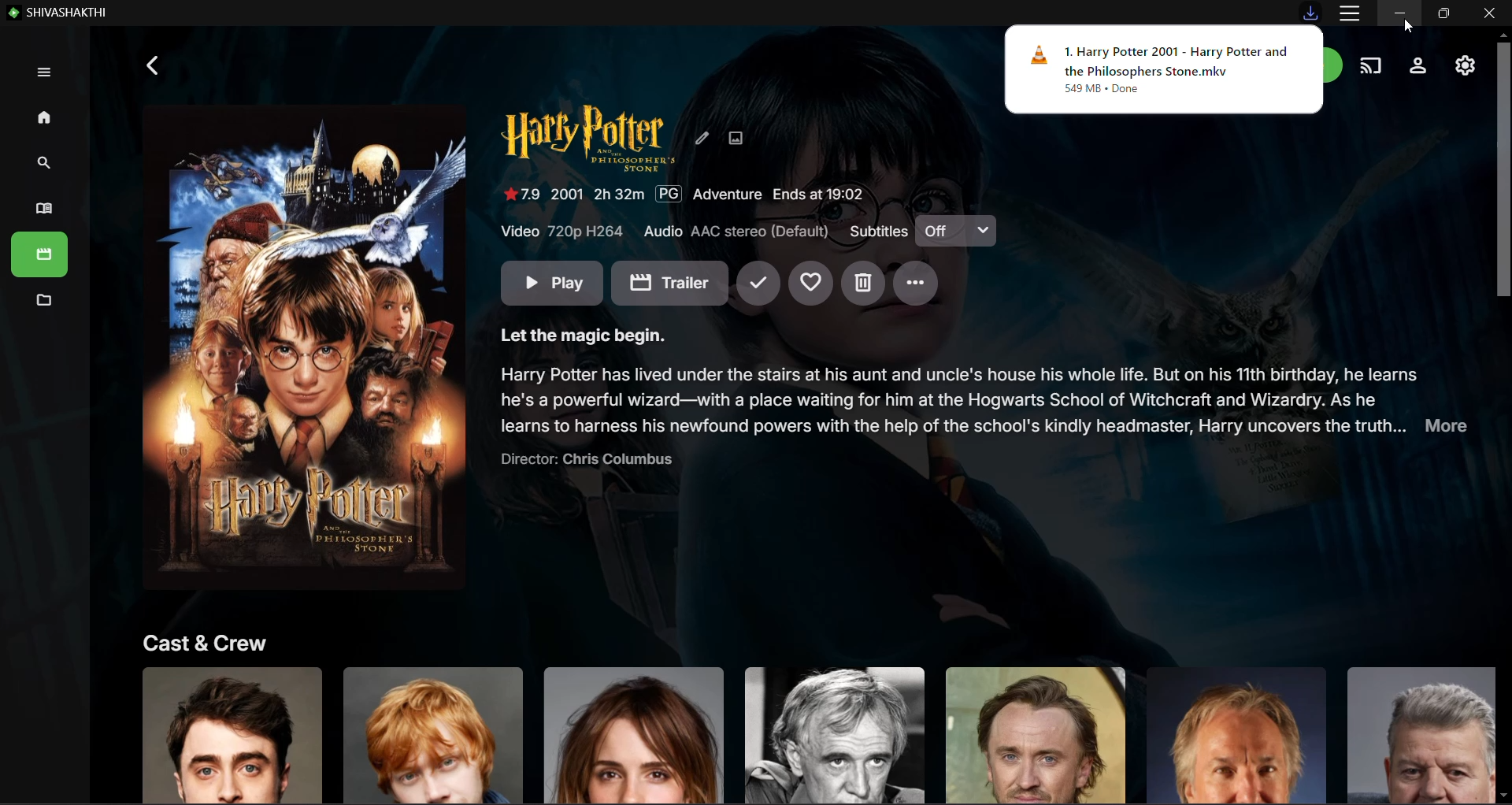 This screenshot has width=1512, height=805. I want to click on Play on another device, so click(1373, 65).